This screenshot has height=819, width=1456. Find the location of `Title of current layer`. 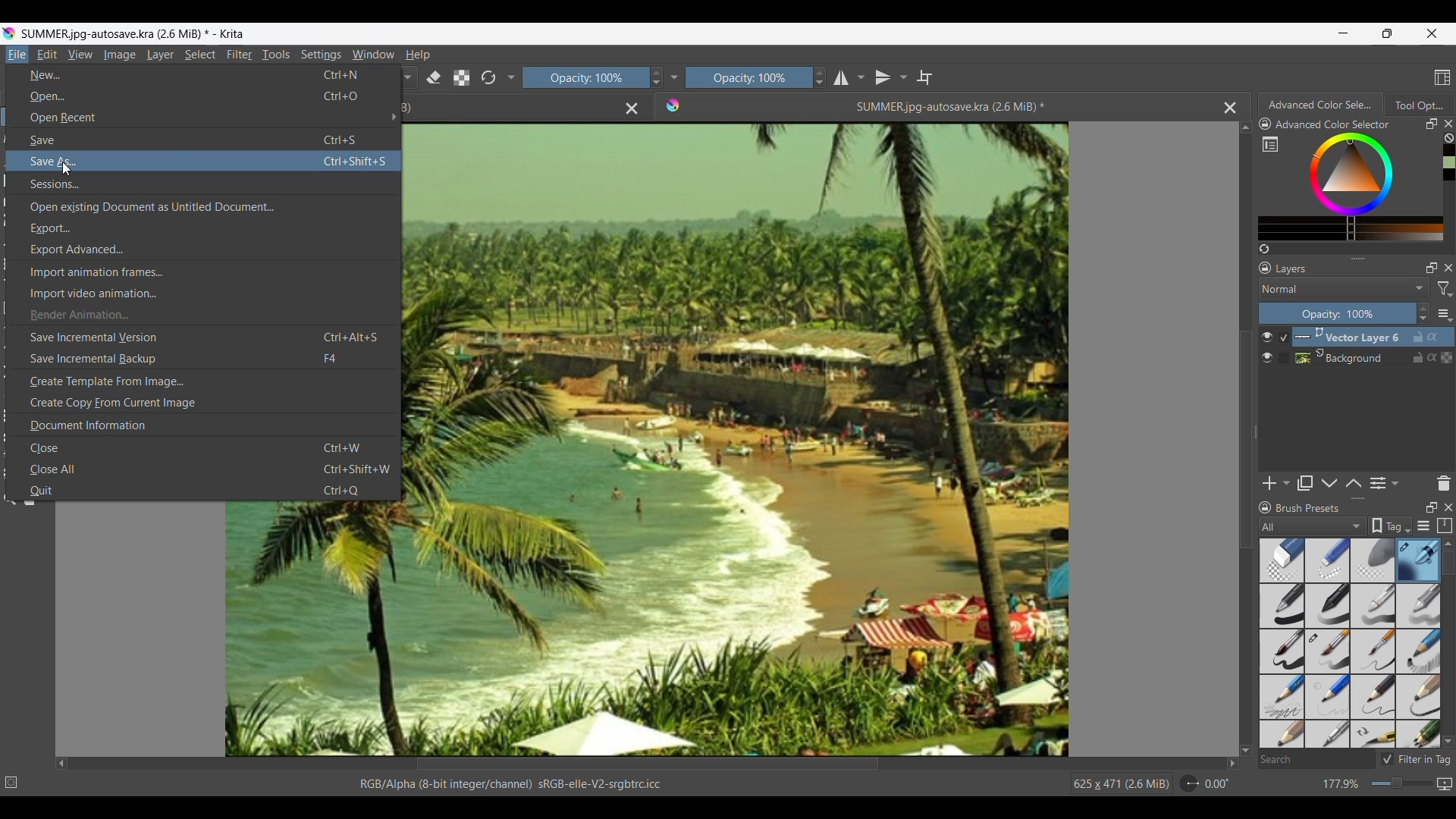

Title of current layer is located at coordinates (1291, 268).